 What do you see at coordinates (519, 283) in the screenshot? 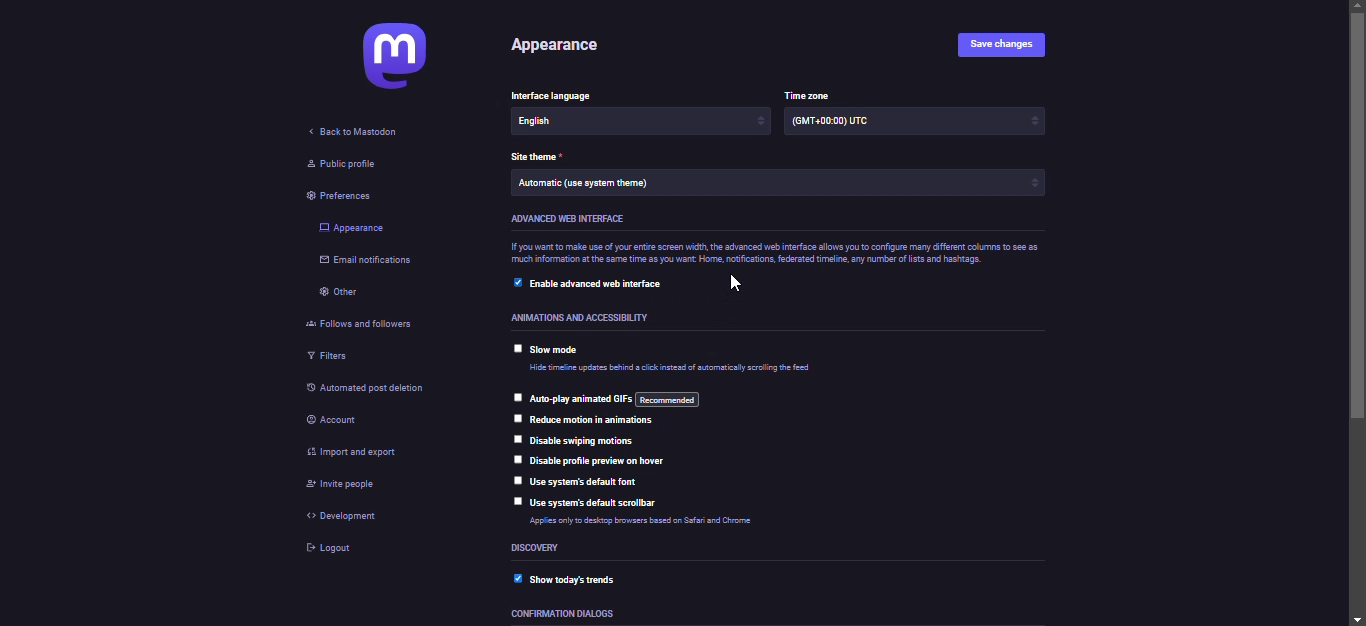
I see `click to select` at bounding box center [519, 283].